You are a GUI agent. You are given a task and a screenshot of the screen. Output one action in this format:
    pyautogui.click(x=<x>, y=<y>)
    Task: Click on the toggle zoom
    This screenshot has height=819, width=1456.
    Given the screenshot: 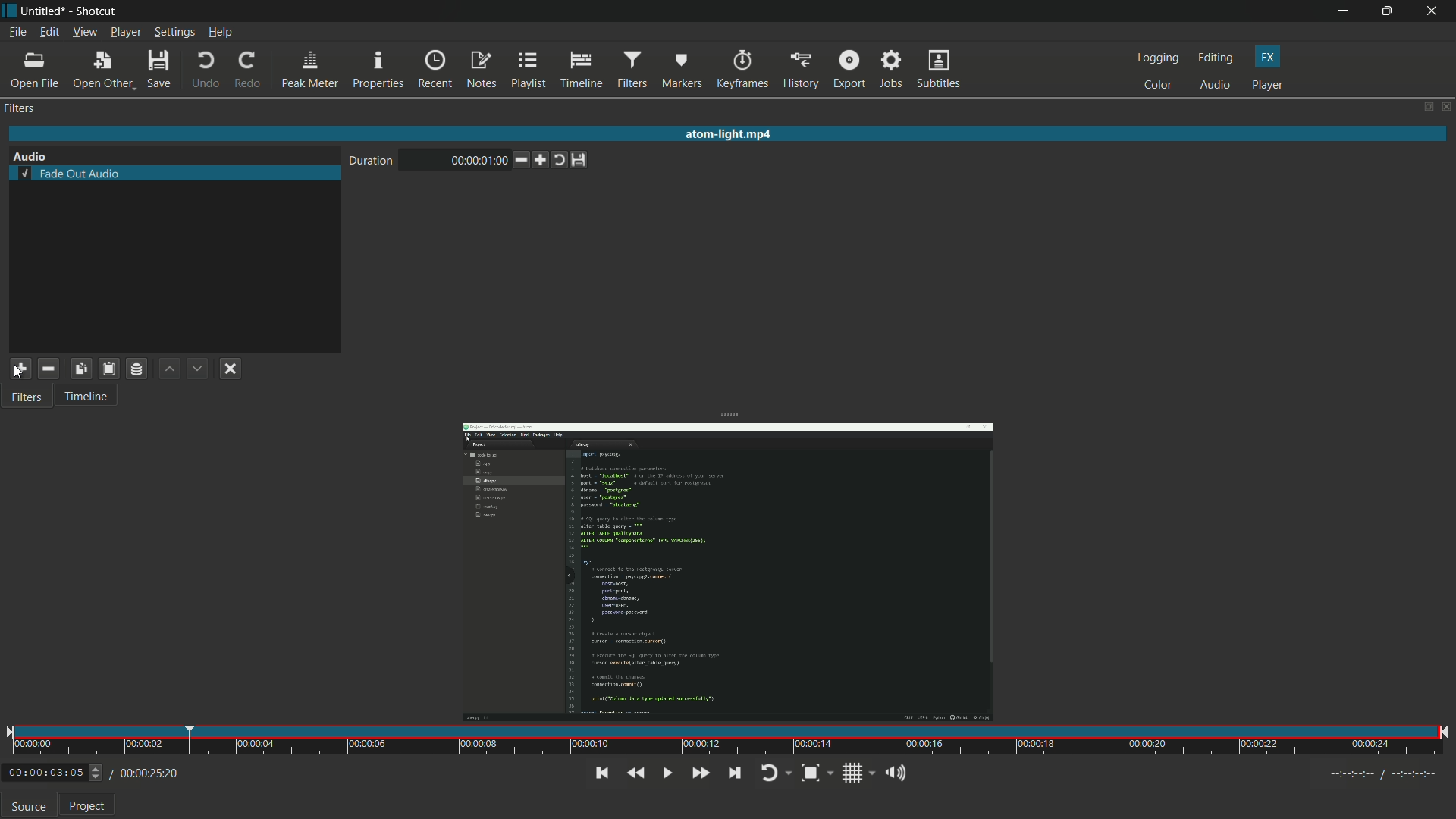 What is the action you would take?
    pyautogui.click(x=809, y=773)
    